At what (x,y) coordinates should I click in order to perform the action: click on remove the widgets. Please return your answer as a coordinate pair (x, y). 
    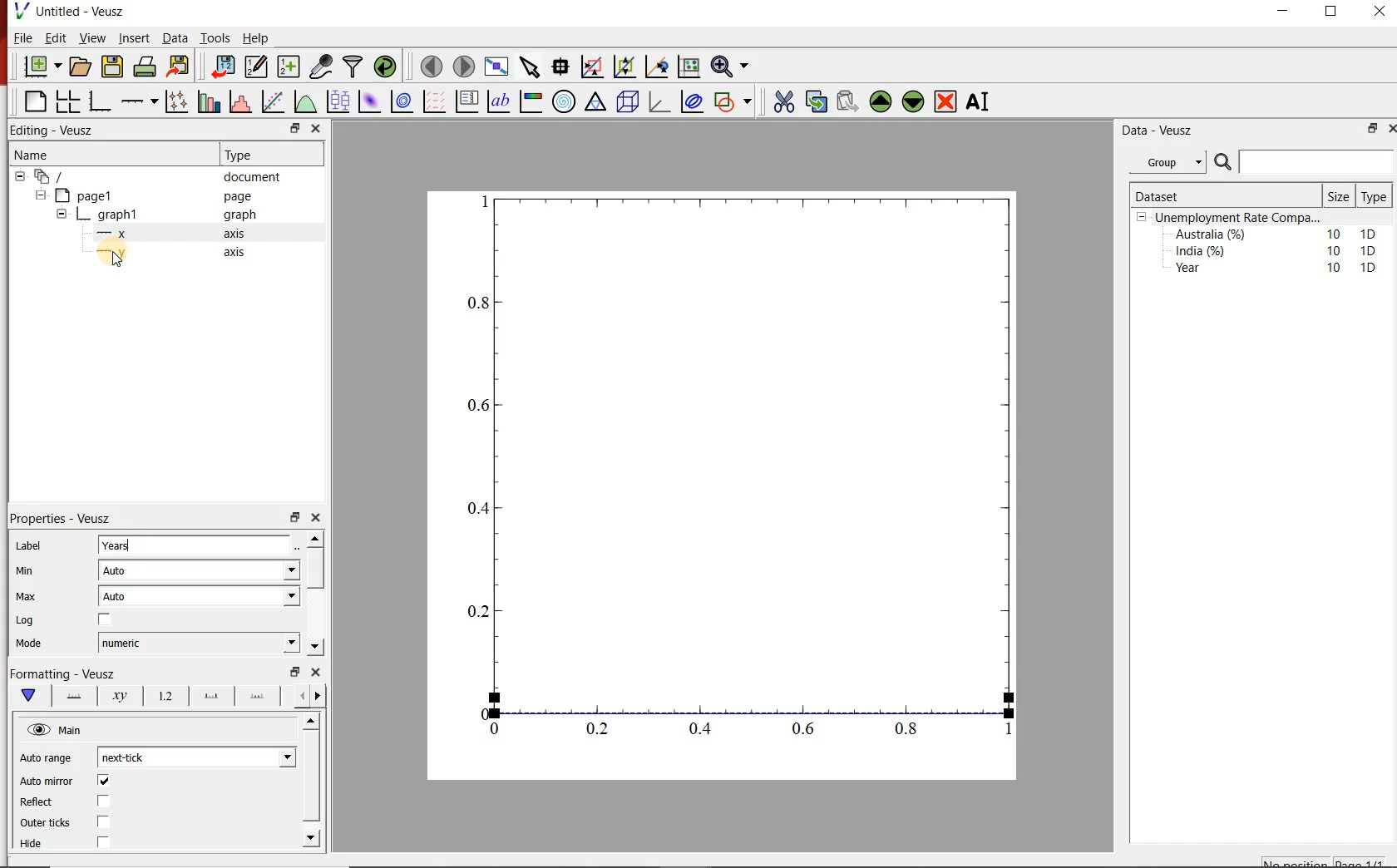
    Looking at the image, I should click on (945, 101).